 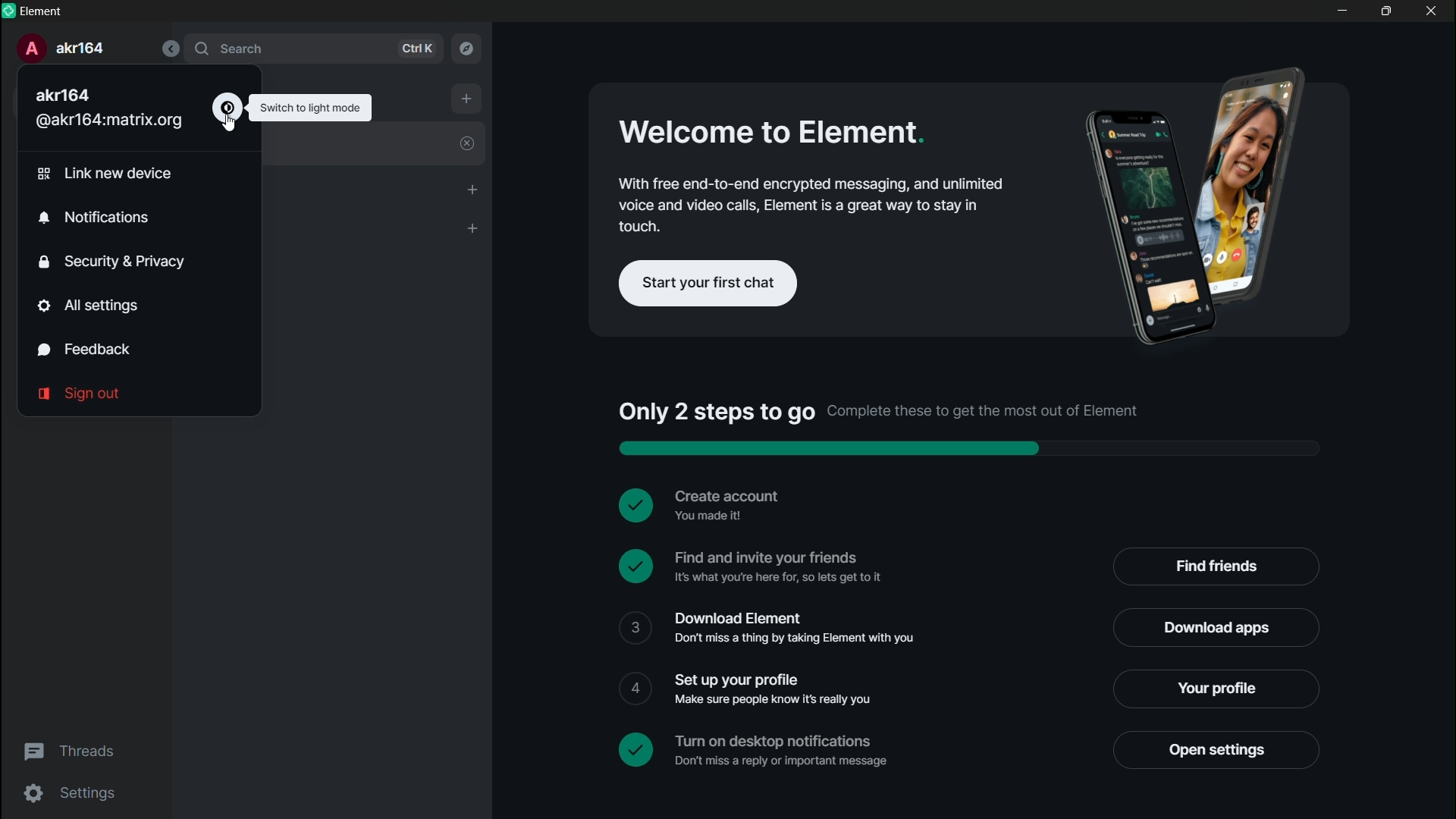 What do you see at coordinates (227, 106) in the screenshot?
I see `switch to dark mode icon` at bounding box center [227, 106].